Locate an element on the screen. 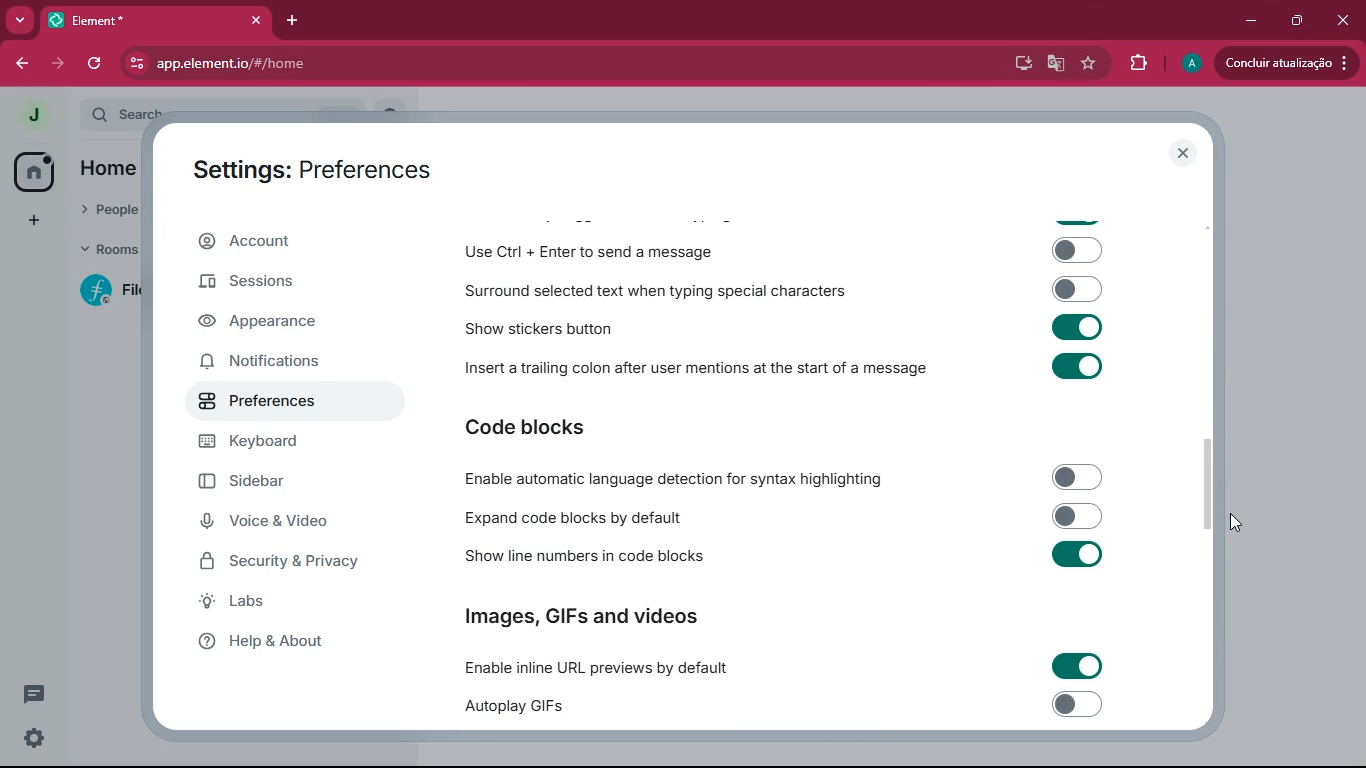 This screenshot has height=768, width=1366. google translate is located at coordinates (1054, 64).